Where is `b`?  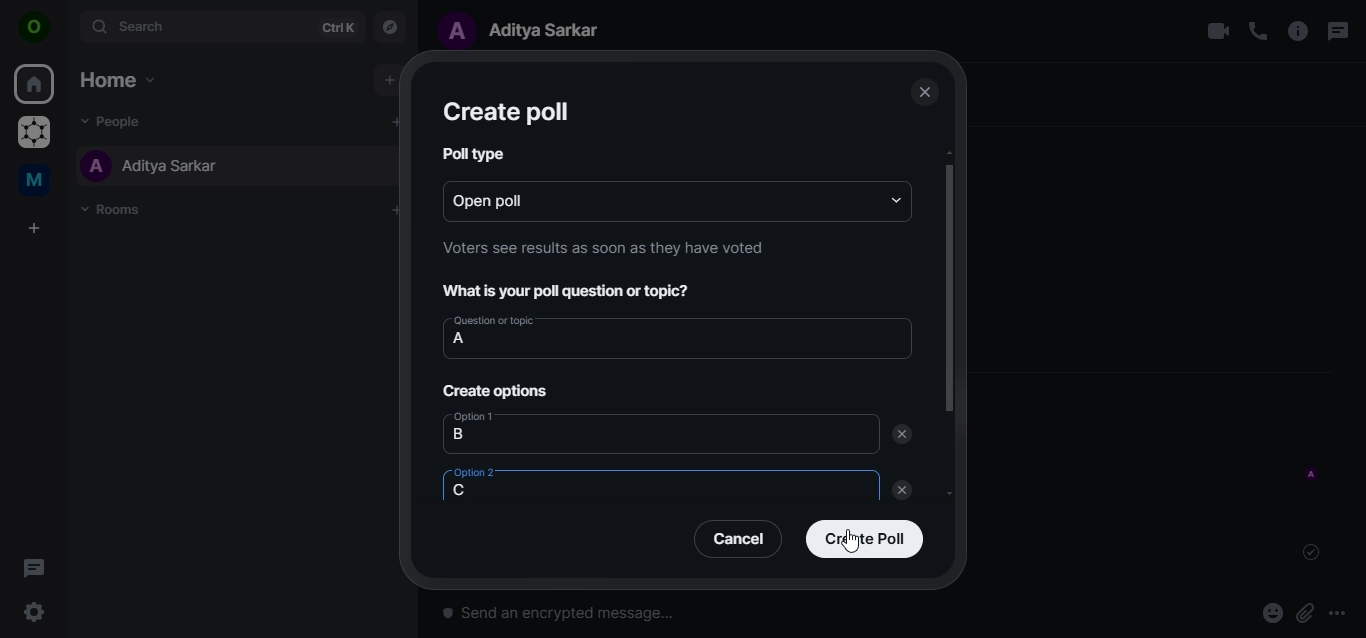
b is located at coordinates (458, 434).